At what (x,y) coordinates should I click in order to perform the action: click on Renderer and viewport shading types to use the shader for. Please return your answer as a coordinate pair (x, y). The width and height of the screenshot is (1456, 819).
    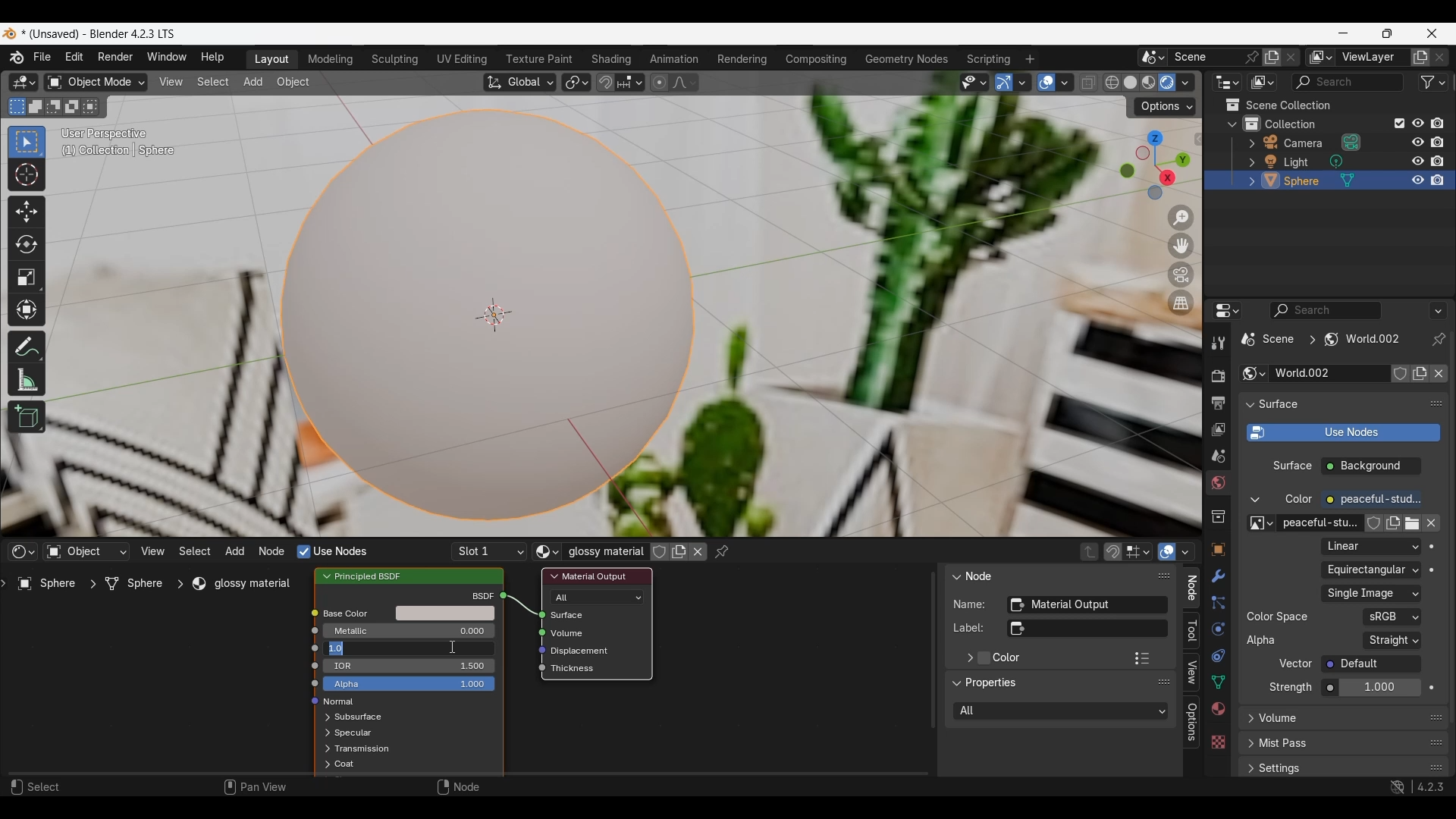
    Looking at the image, I should click on (598, 597).